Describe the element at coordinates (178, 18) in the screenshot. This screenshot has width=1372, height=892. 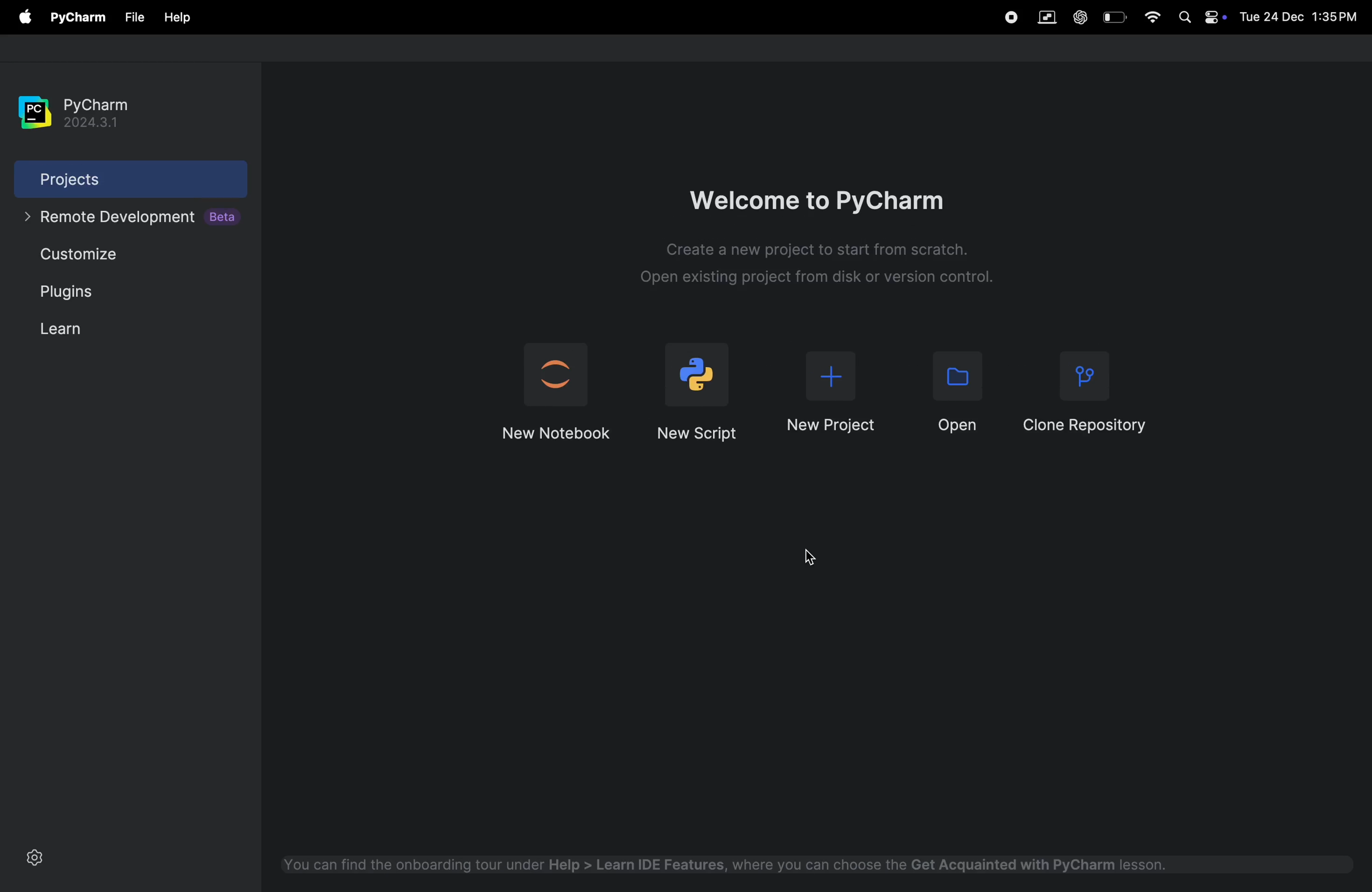
I see `help` at that location.